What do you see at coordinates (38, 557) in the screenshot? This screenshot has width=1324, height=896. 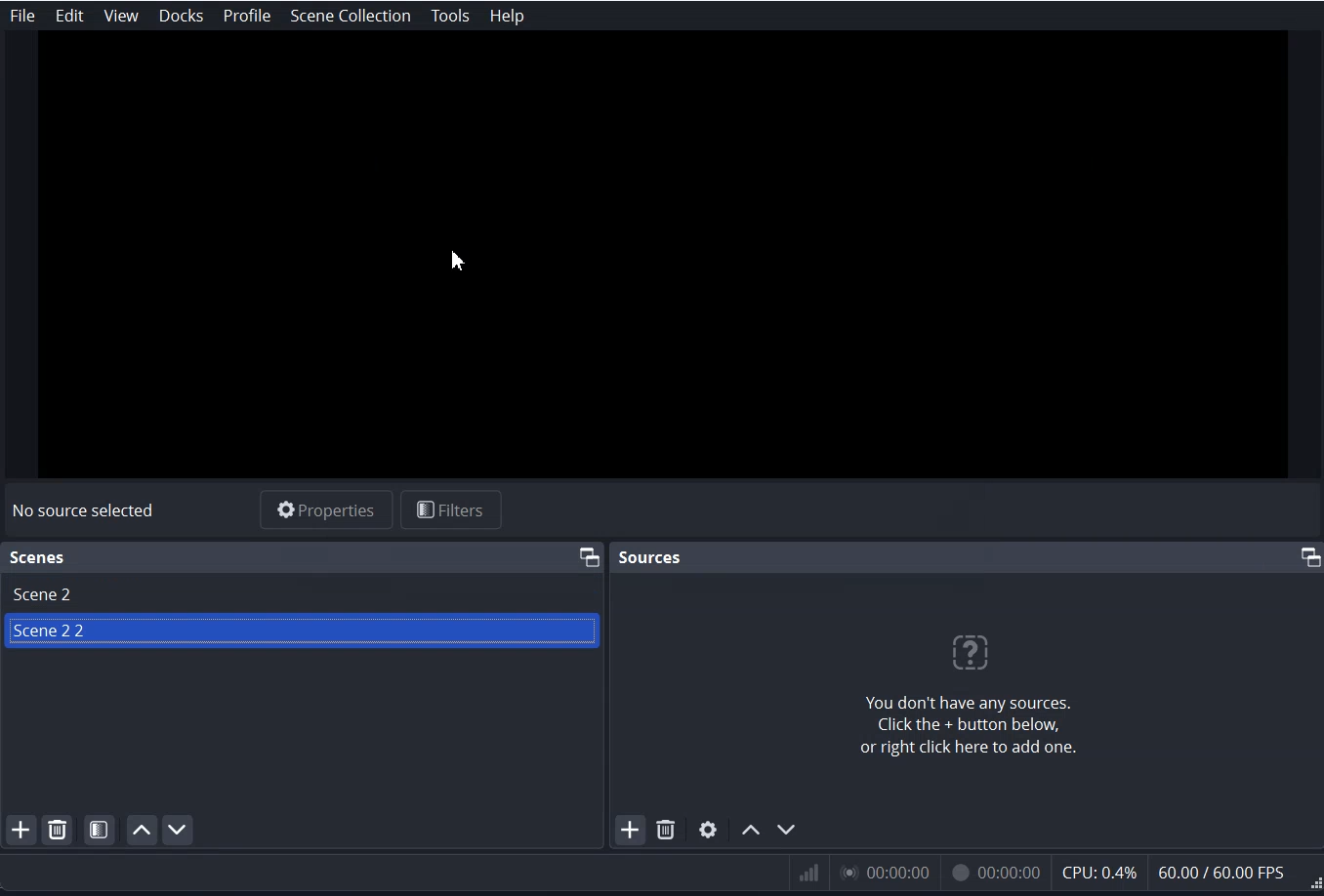 I see `Scenes` at bounding box center [38, 557].